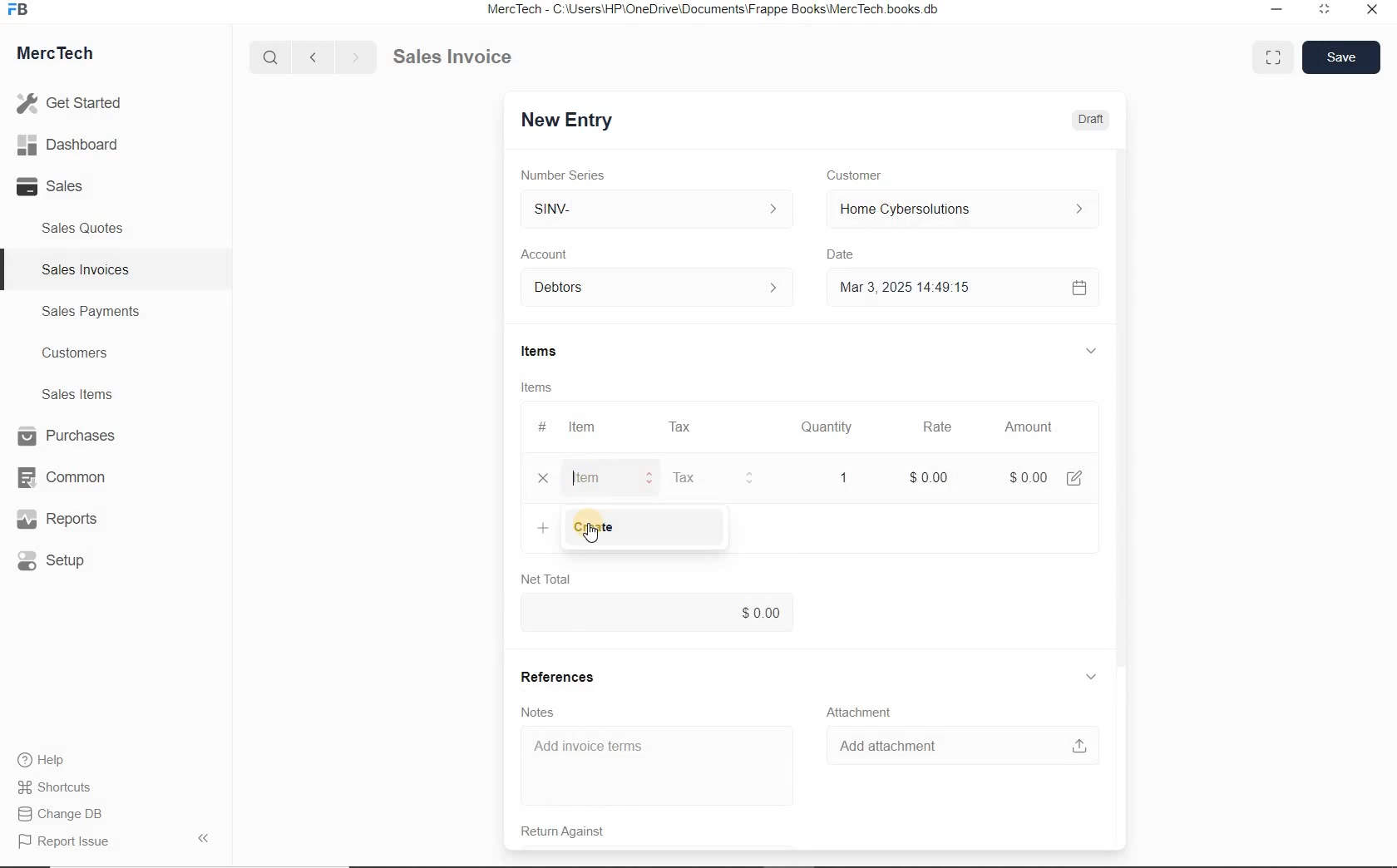 This screenshot has height=868, width=1397. What do you see at coordinates (935, 428) in the screenshot?
I see `Rate` at bounding box center [935, 428].